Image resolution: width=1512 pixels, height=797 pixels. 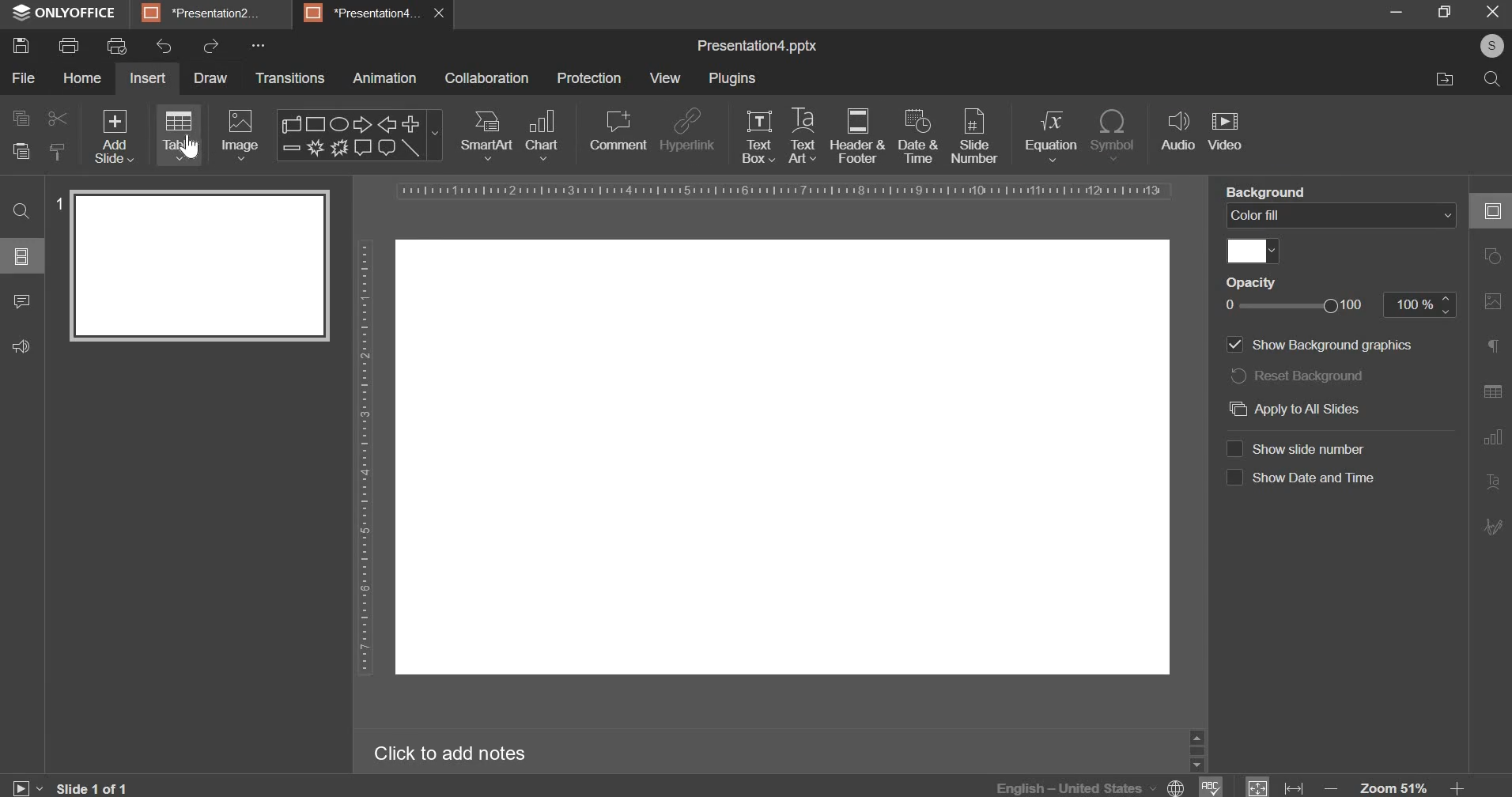 I want to click on paragraph settings, so click(x=1498, y=345).